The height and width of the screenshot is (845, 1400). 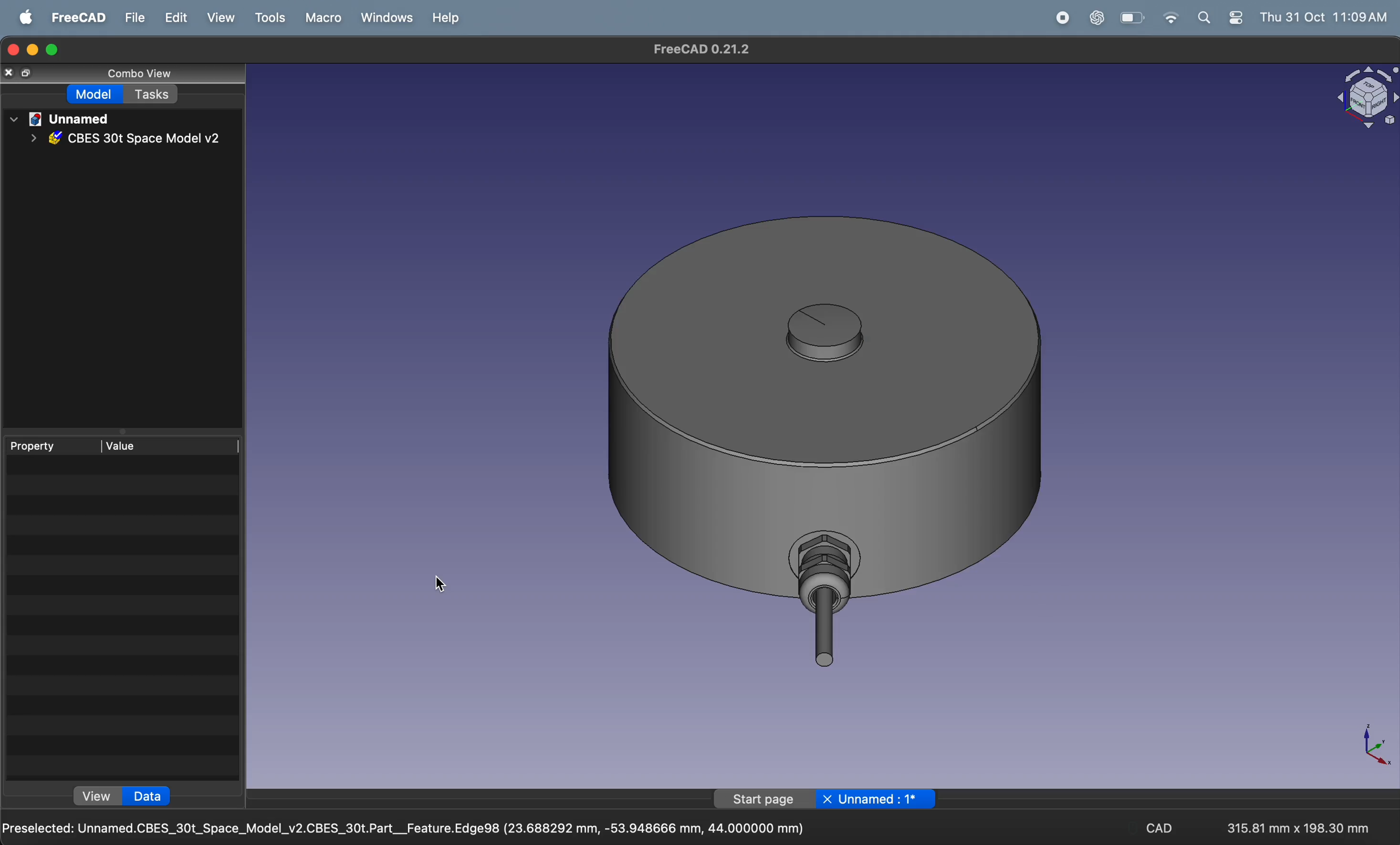 I want to click on file, so click(x=135, y=17).